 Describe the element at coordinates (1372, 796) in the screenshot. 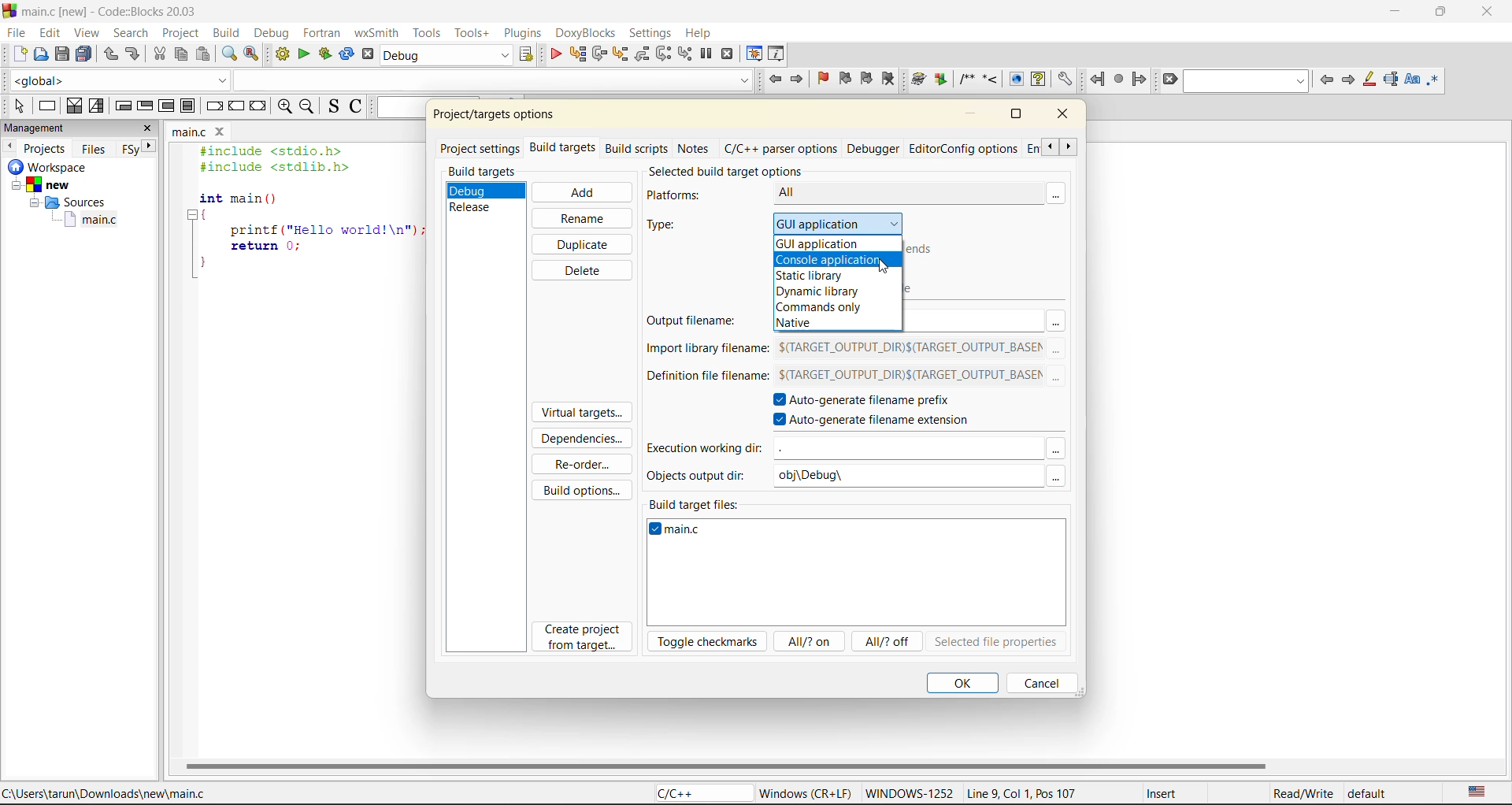

I see `default` at that location.